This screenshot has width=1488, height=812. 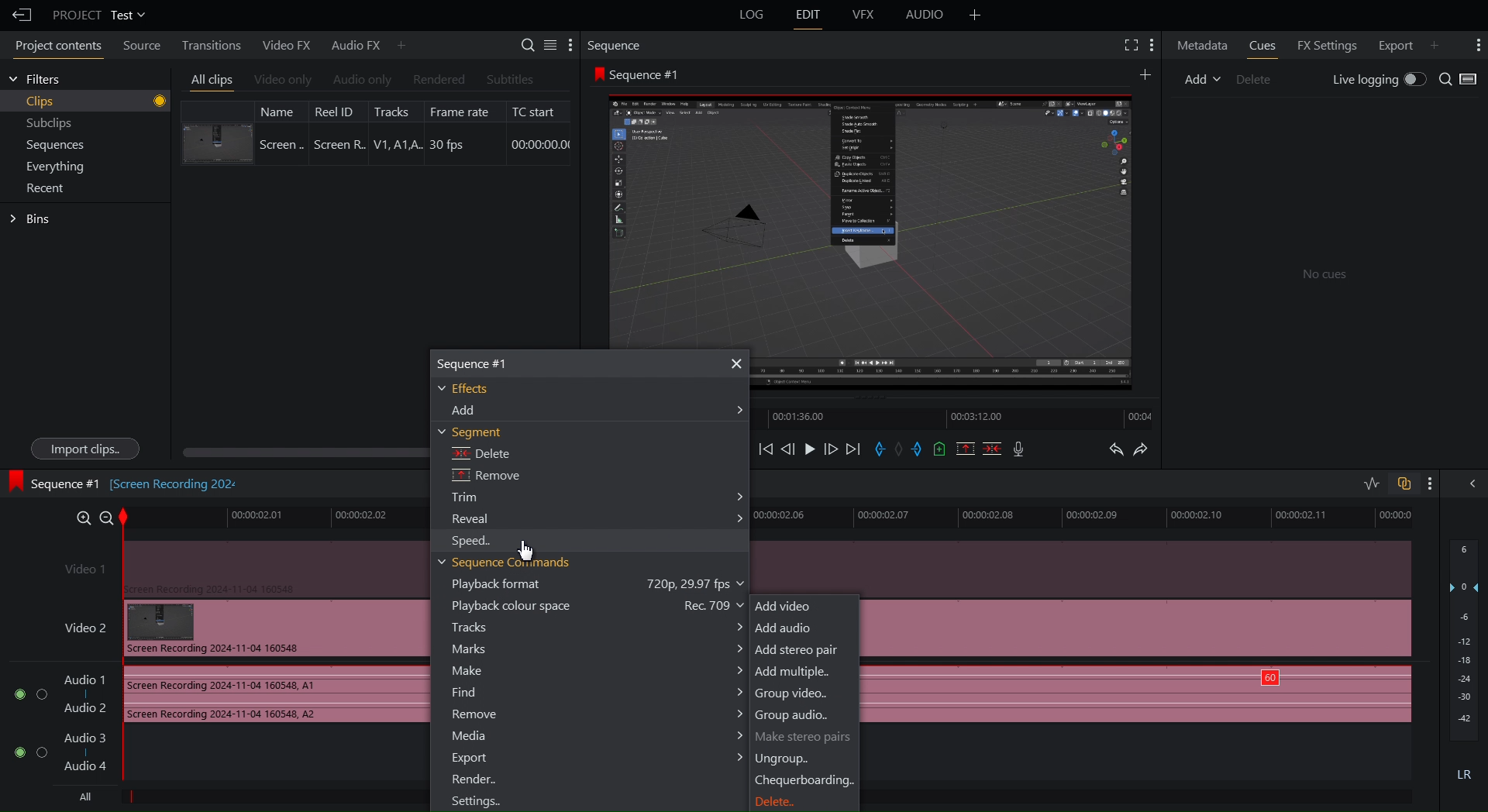 I want to click on , so click(x=60, y=166).